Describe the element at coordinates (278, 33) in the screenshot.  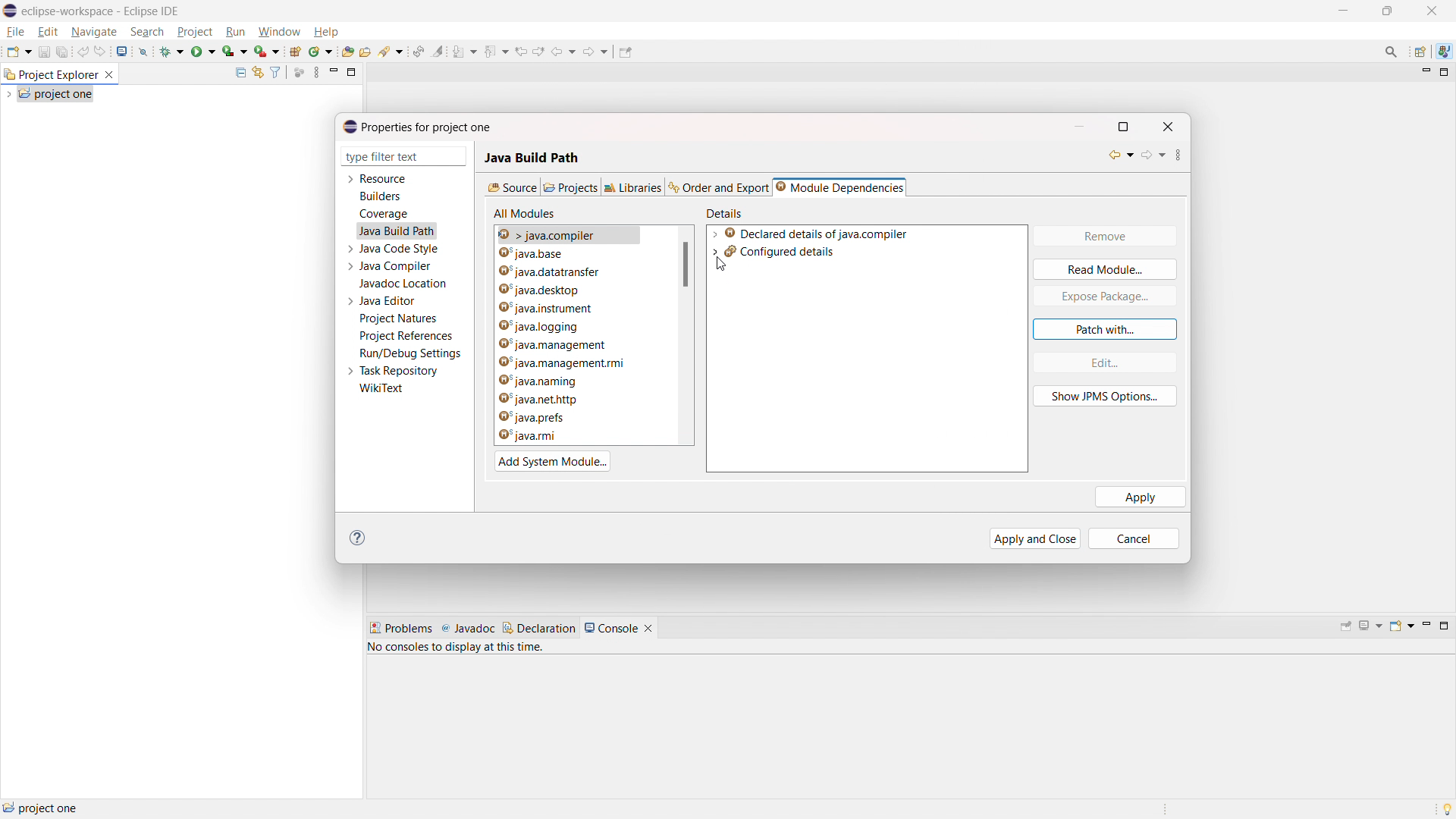
I see `window` at that location.